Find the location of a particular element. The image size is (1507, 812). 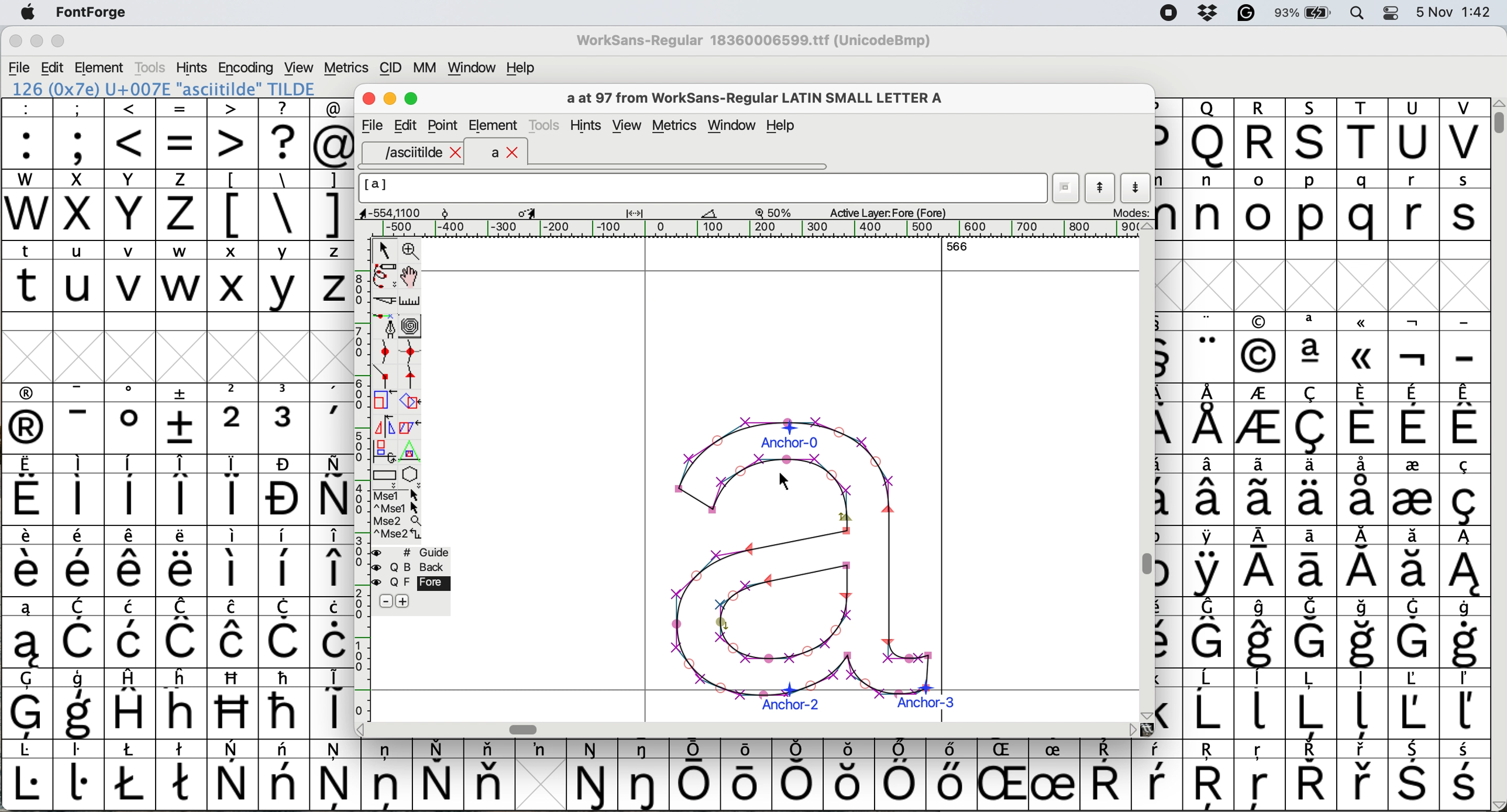

Close is located at coordinates (370, 99).